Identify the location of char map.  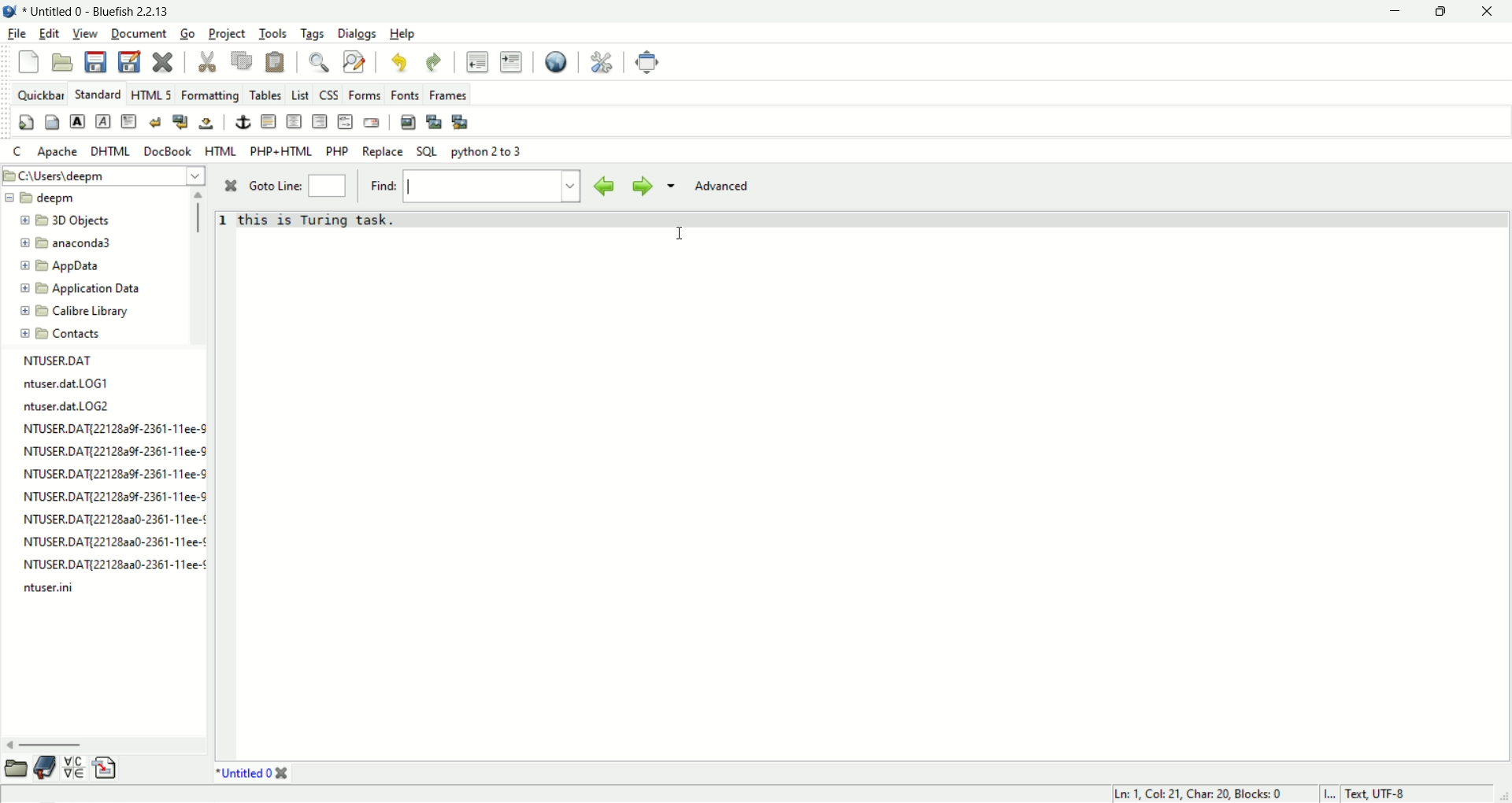
(75, 768).